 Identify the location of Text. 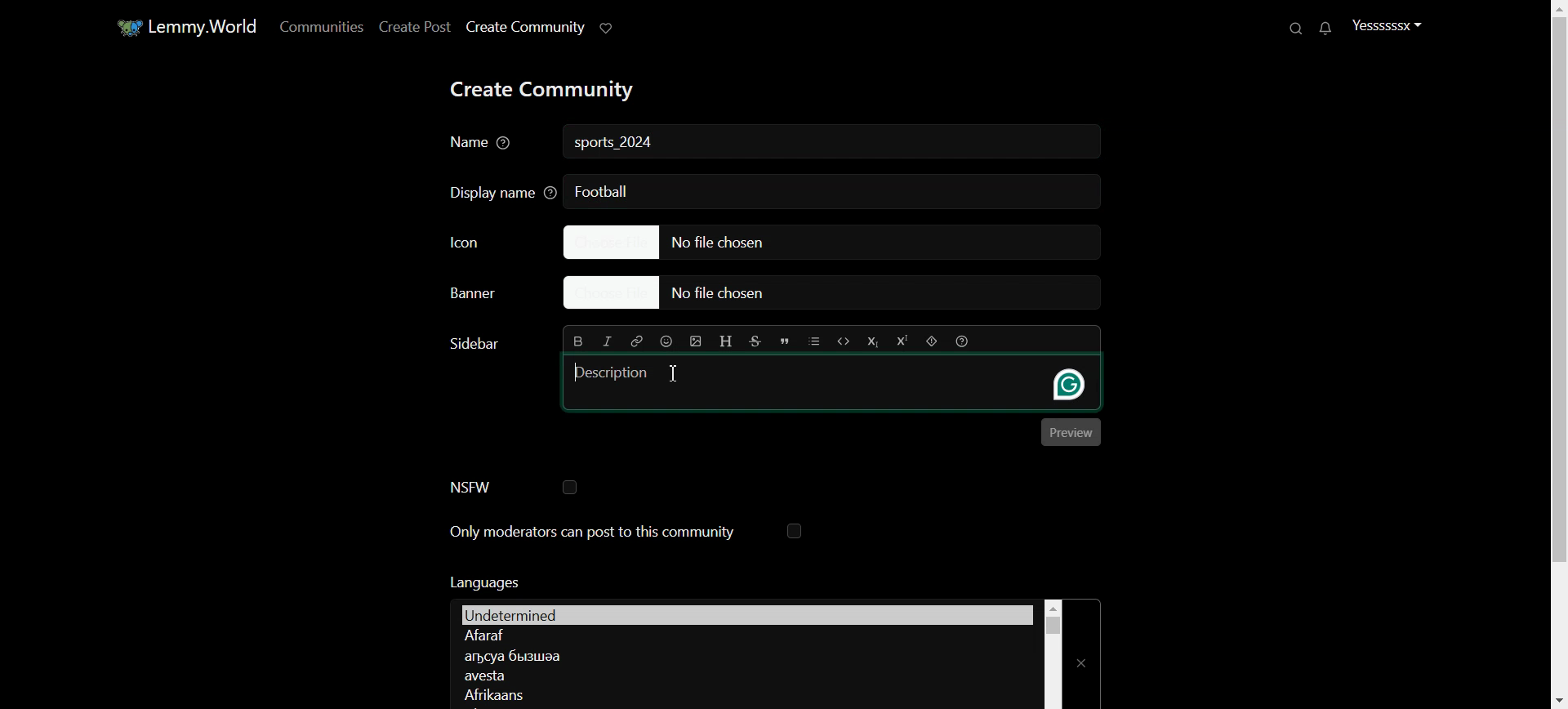
(472, 344).